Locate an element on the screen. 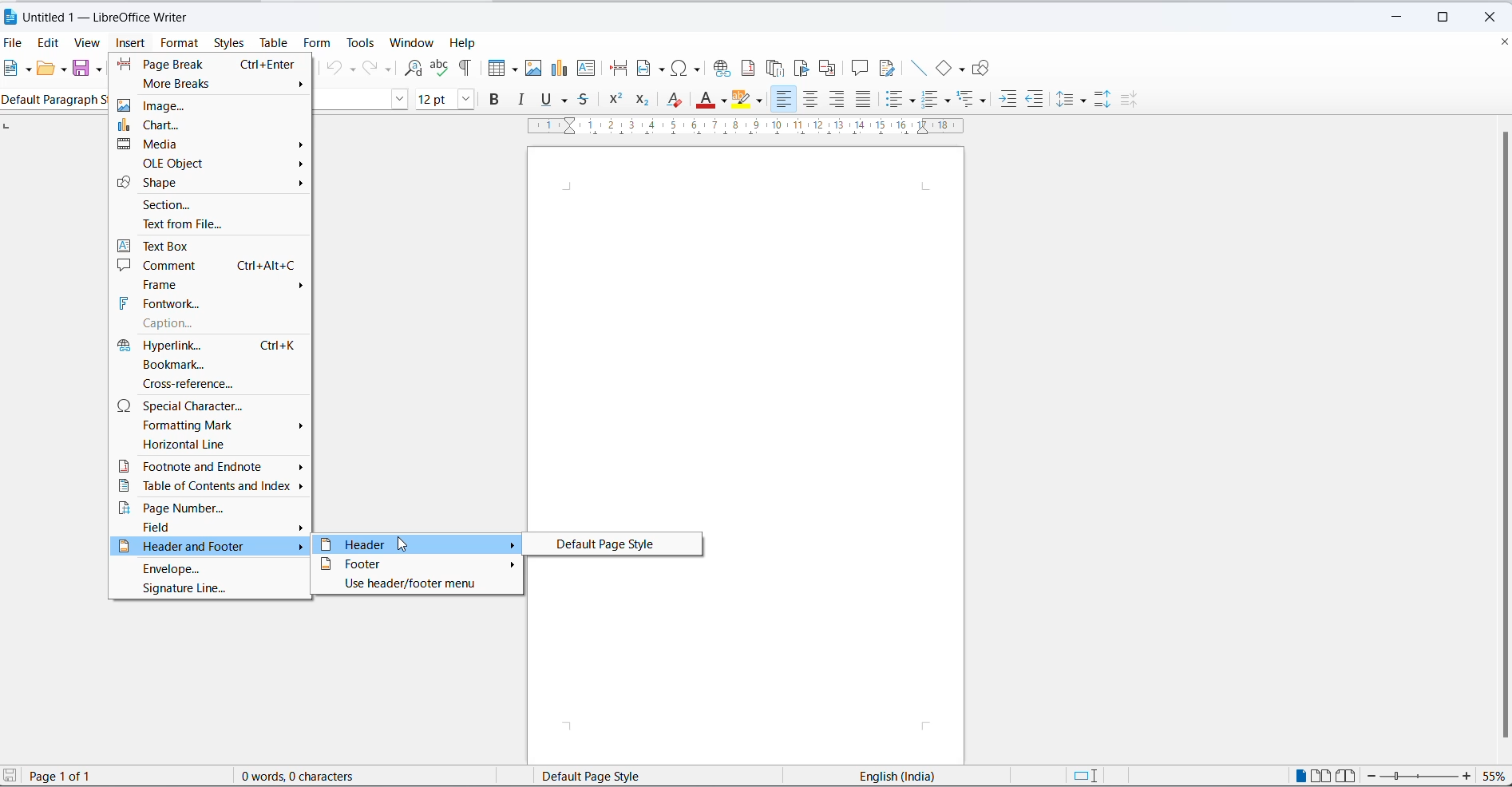  close document is located at coordinates (1502, 41).